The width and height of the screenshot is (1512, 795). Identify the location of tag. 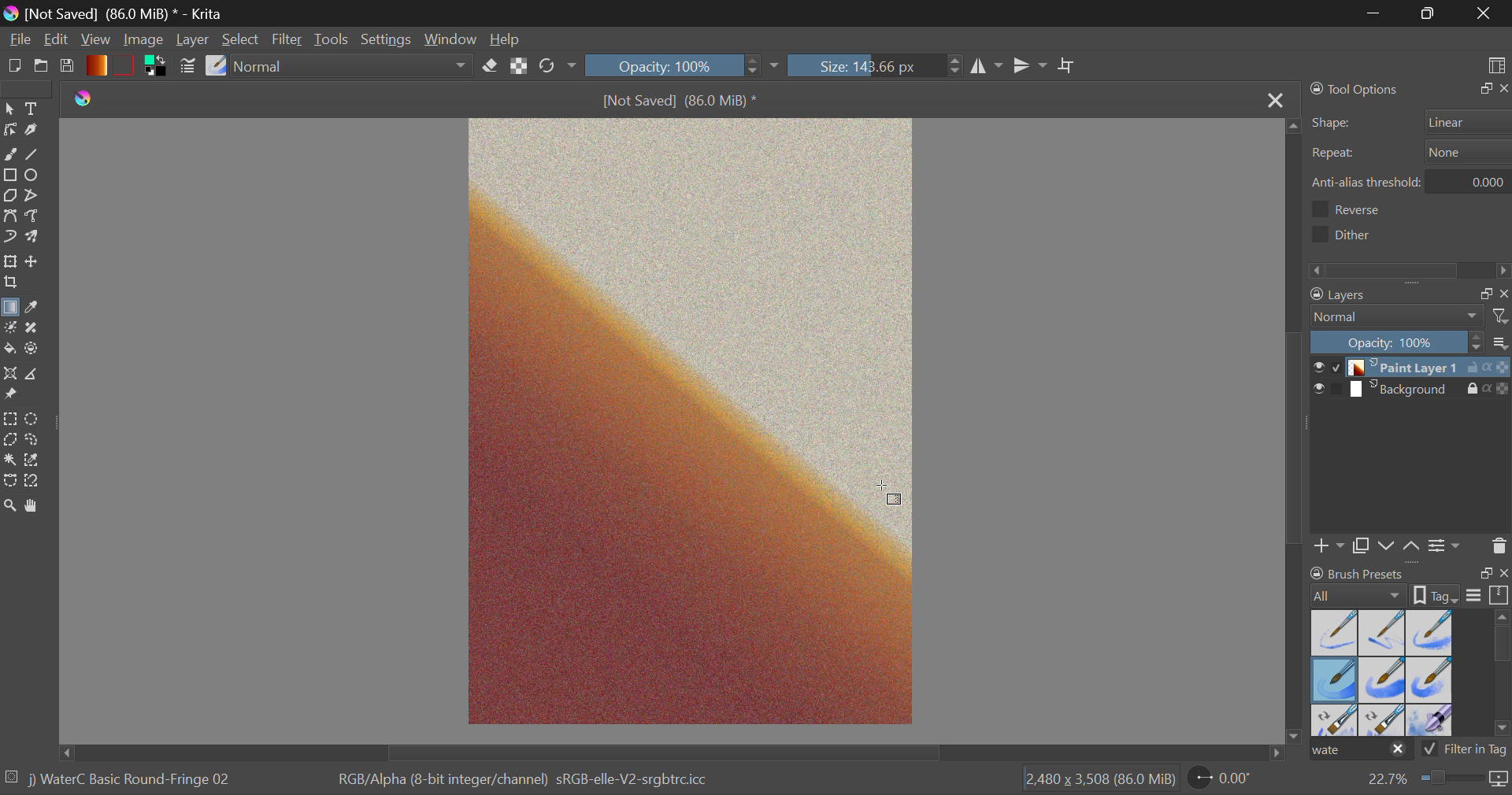
(1438, 594).